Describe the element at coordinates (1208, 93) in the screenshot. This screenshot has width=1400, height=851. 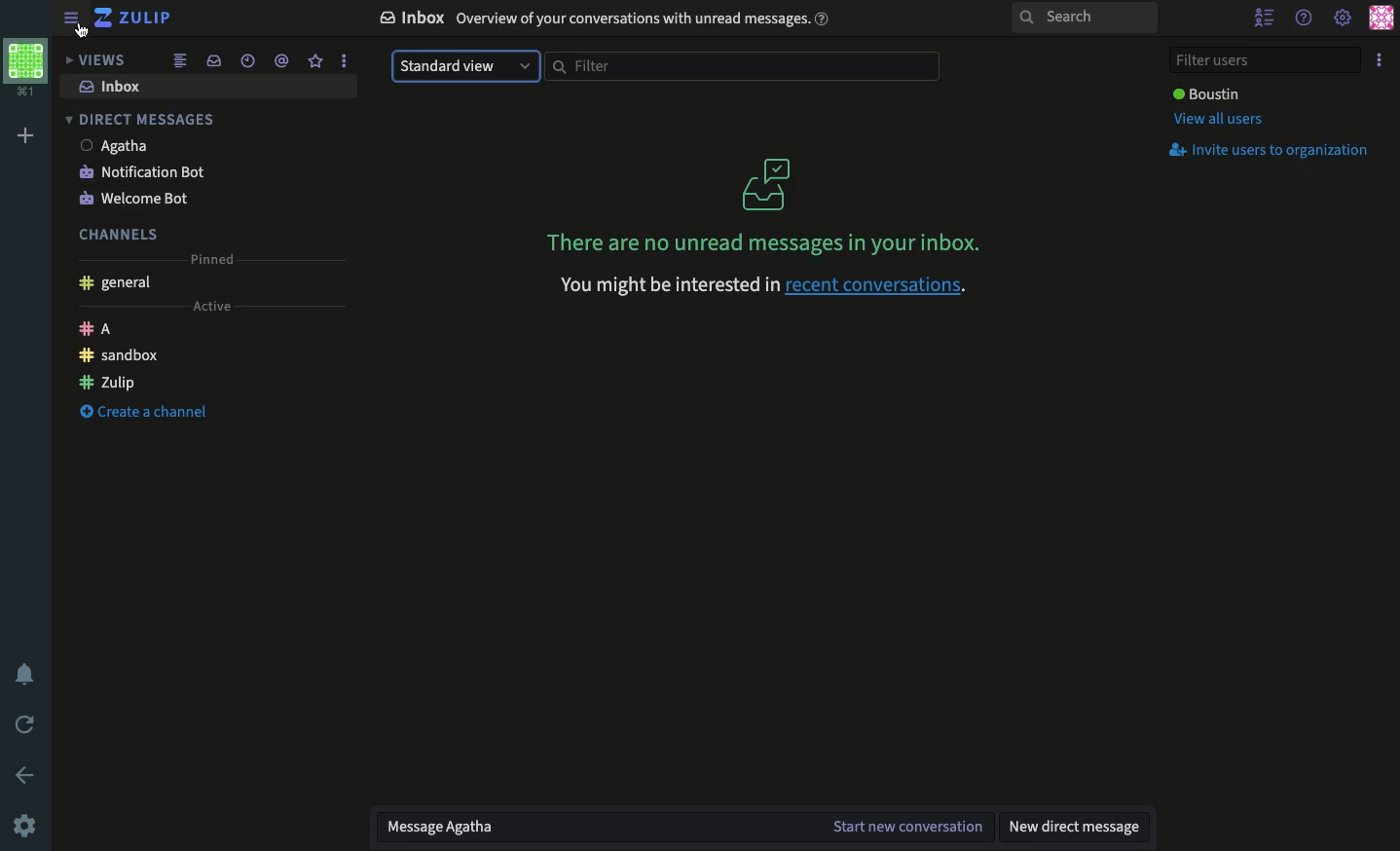
I see `User` at that location.